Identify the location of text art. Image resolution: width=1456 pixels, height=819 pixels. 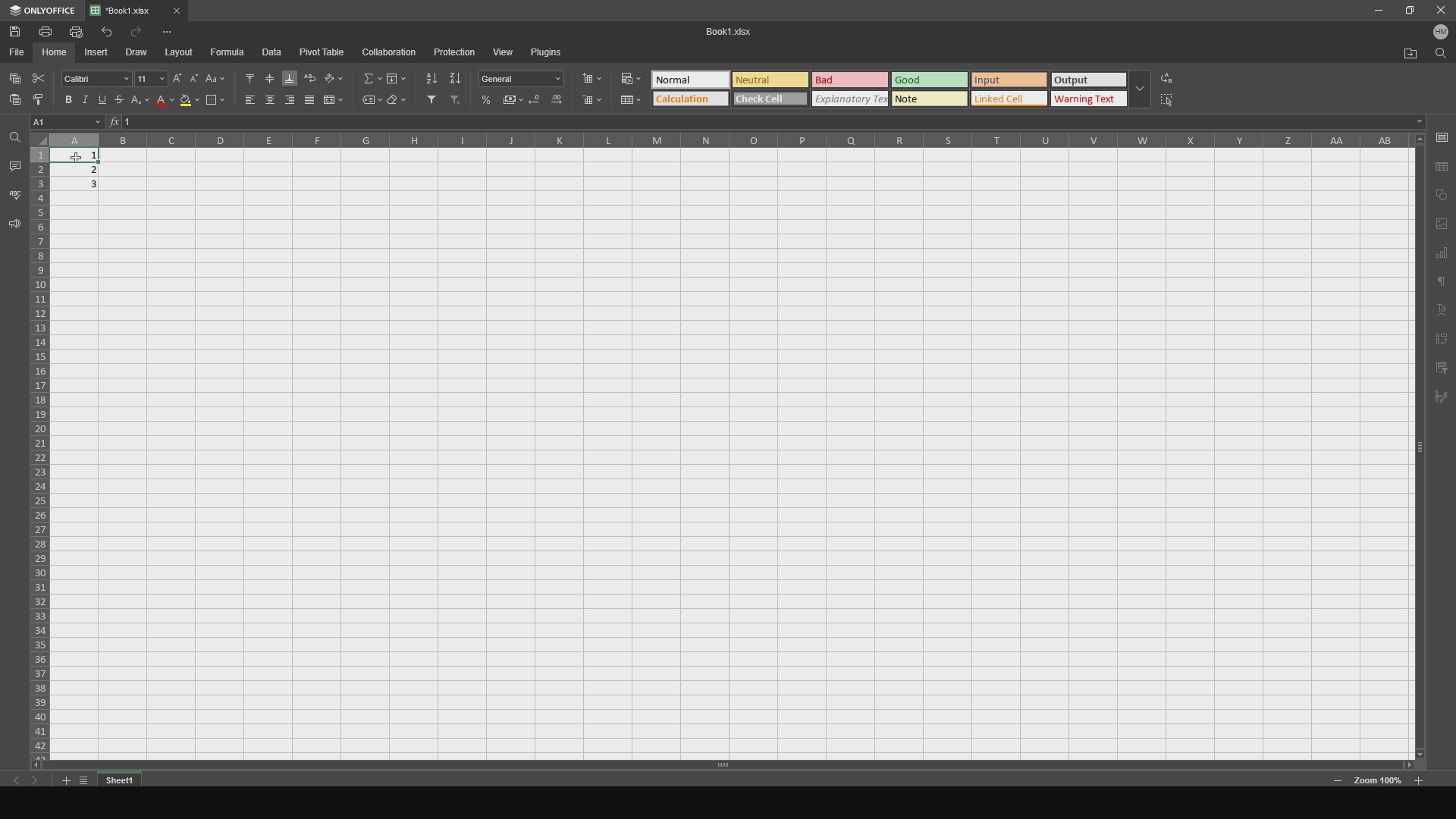
(1443, 311).